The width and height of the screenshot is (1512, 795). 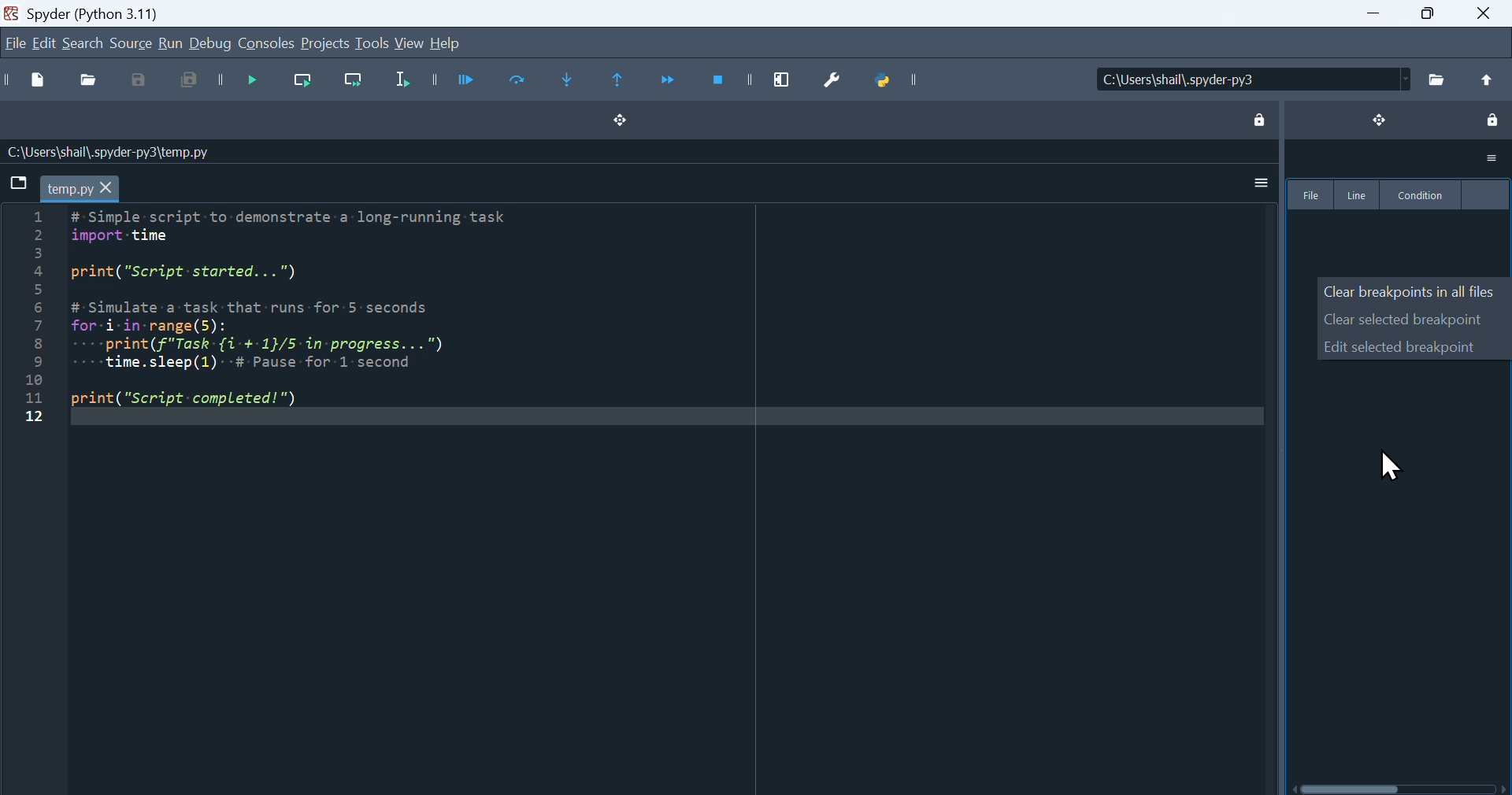 What do you see at coordinates (13, 44) in the screenshot?
I see `` at bounding box center [13, 44].